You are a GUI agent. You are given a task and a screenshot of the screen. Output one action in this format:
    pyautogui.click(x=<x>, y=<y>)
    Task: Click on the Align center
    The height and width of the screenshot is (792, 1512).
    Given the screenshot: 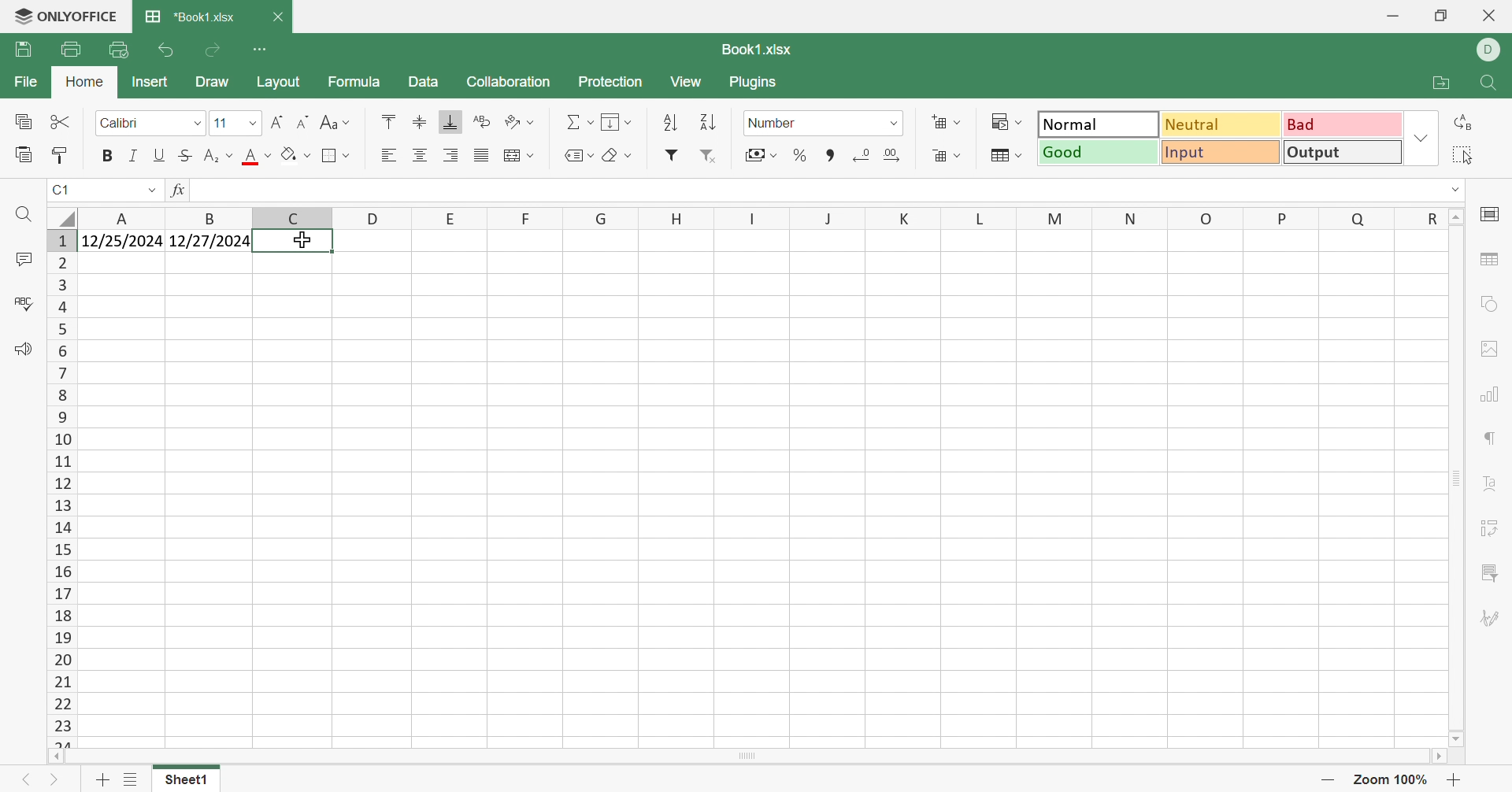 What is the action you would take?
    pyautogui.click(x=419, y=156)
    